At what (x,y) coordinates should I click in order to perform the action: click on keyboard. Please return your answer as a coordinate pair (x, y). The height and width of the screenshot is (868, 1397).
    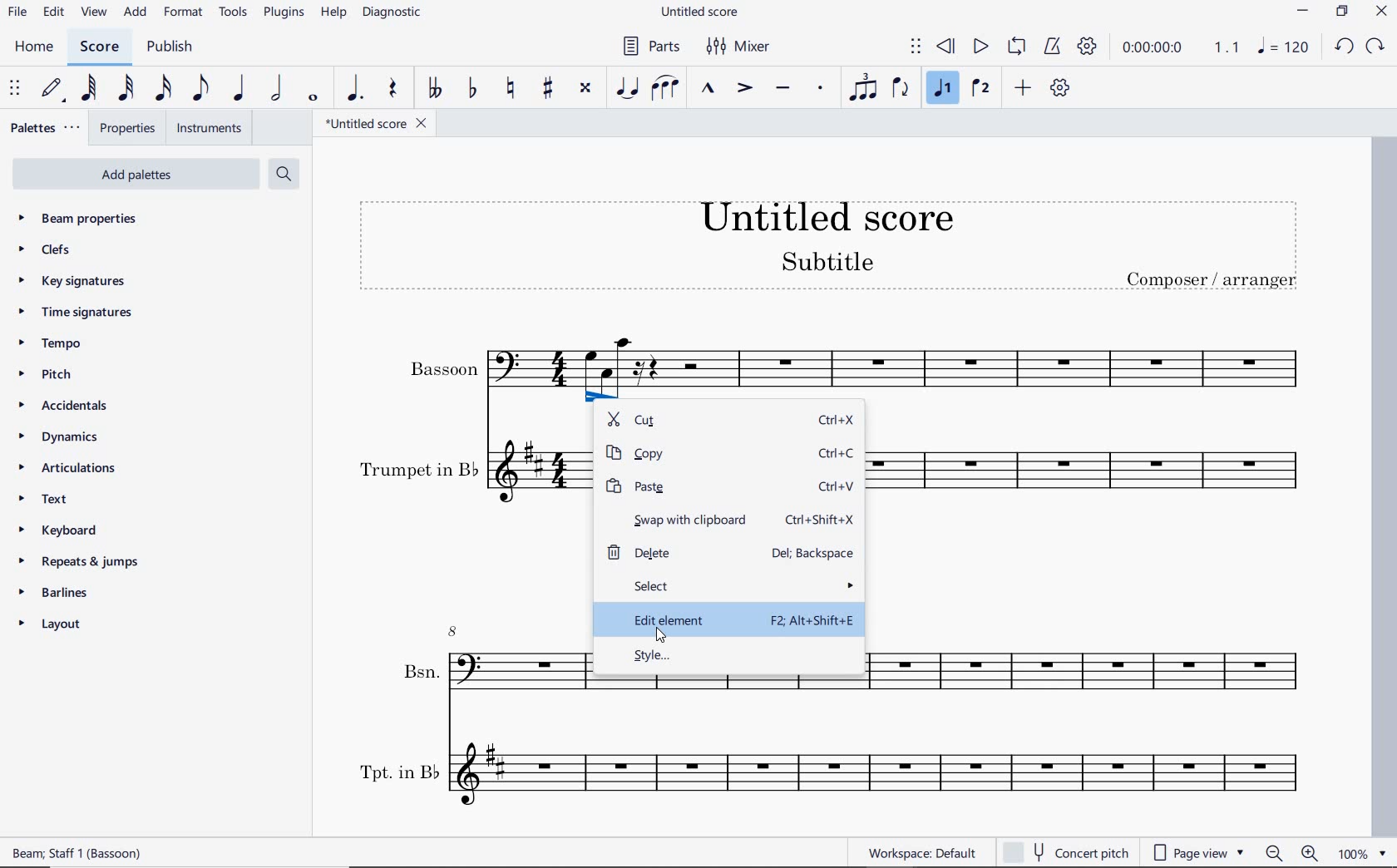
    Looking at the image, I should click on (62, 529).